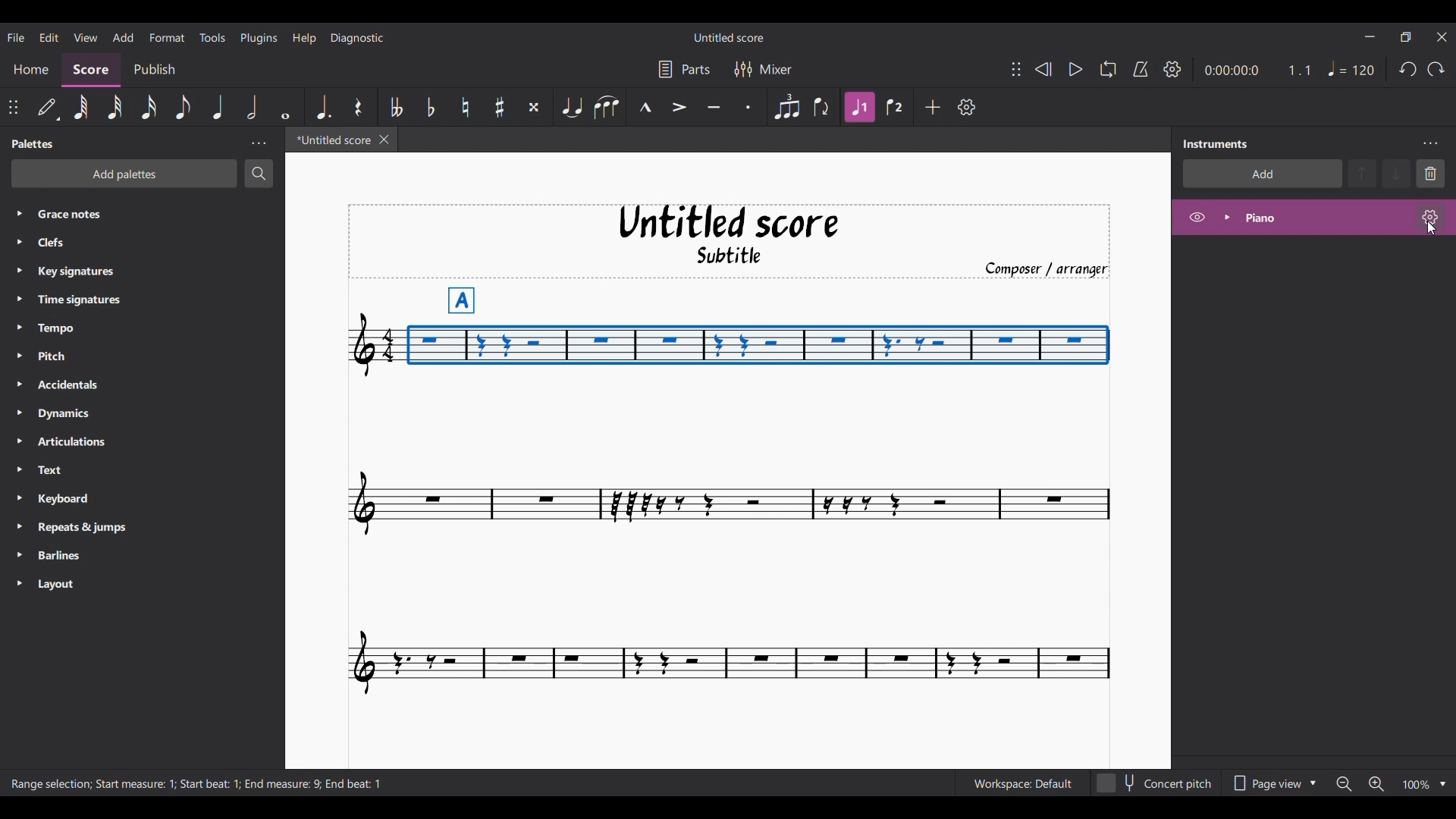  I want to click on Slur, so click(606, 107).